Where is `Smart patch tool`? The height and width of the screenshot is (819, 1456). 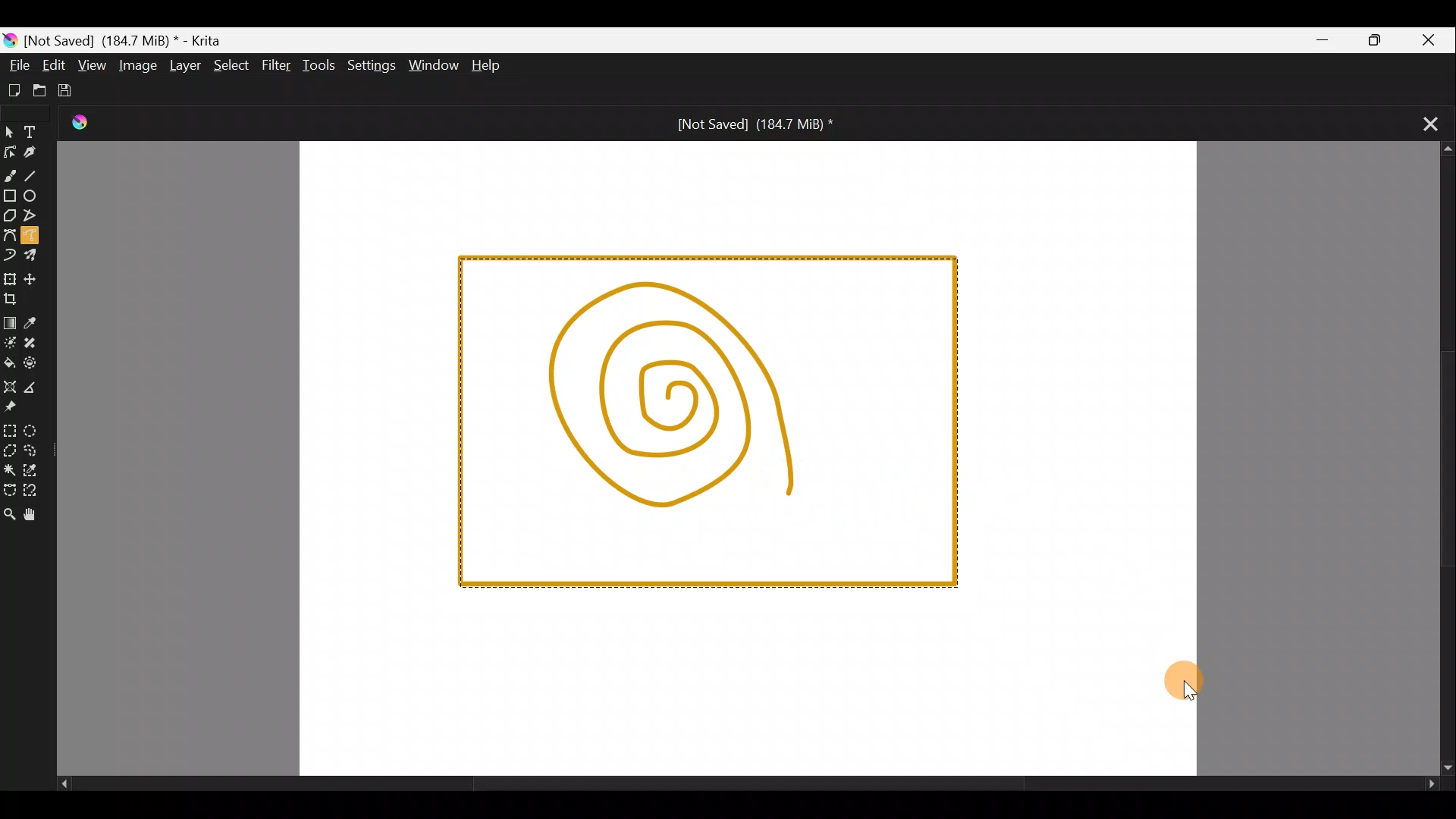 Smart patch tool is located at coordinates (33, 343).